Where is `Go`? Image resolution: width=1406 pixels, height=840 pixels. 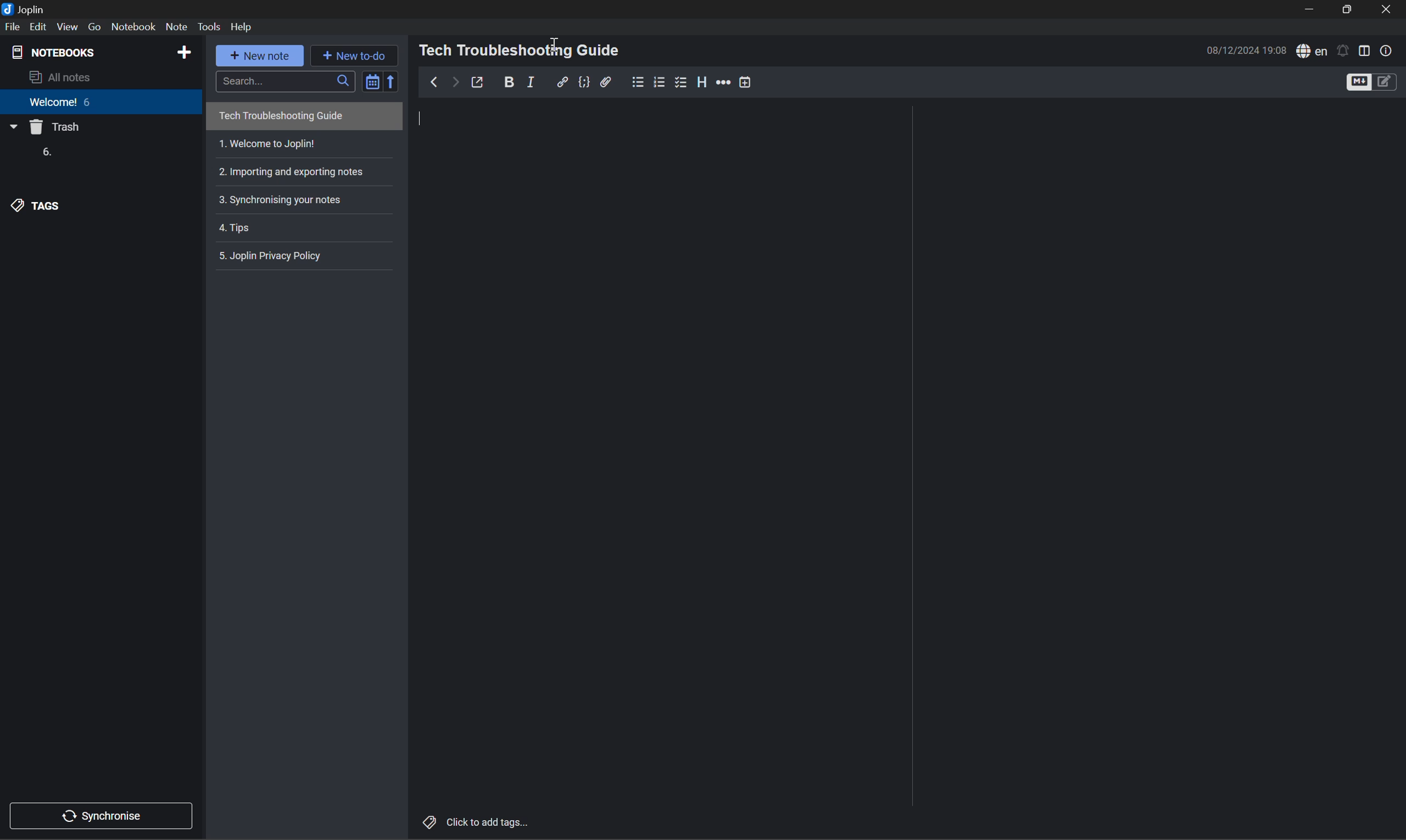 Go is located at coordinates (96, 27).